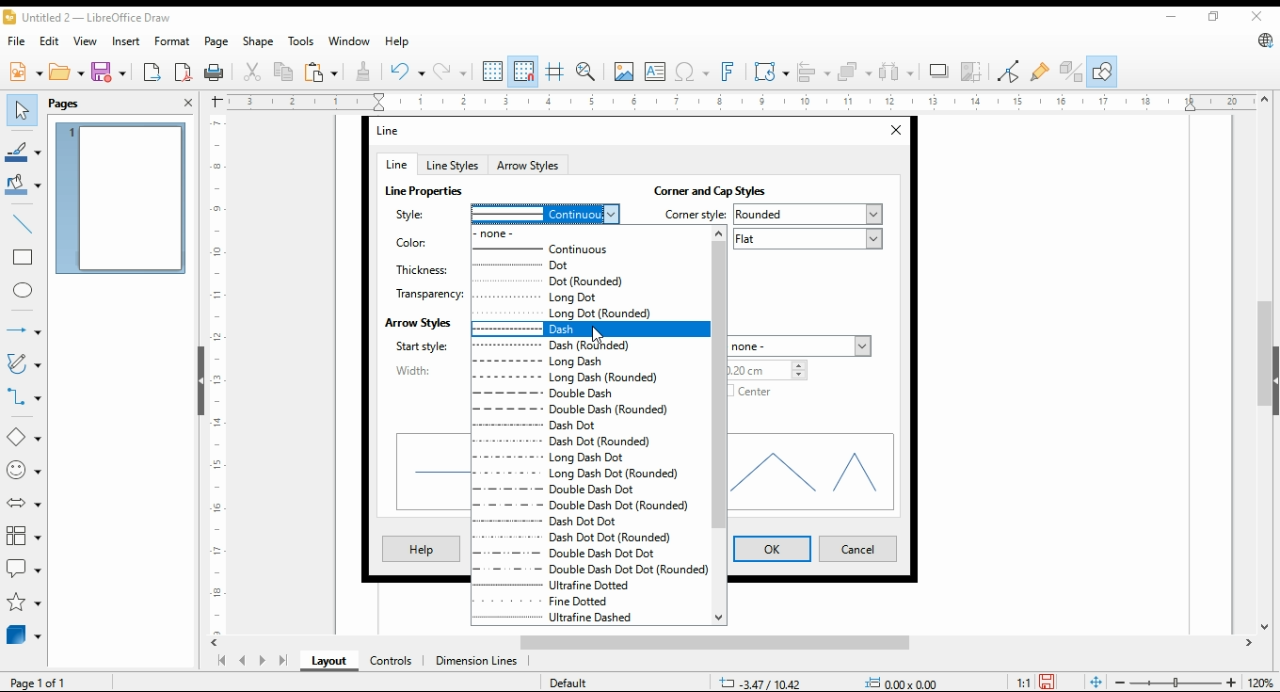 The image size is (1280, 692). What do you see at coordinates (23, 150) in the screenshot?
I see `line color` at bounding box center [23, 150].